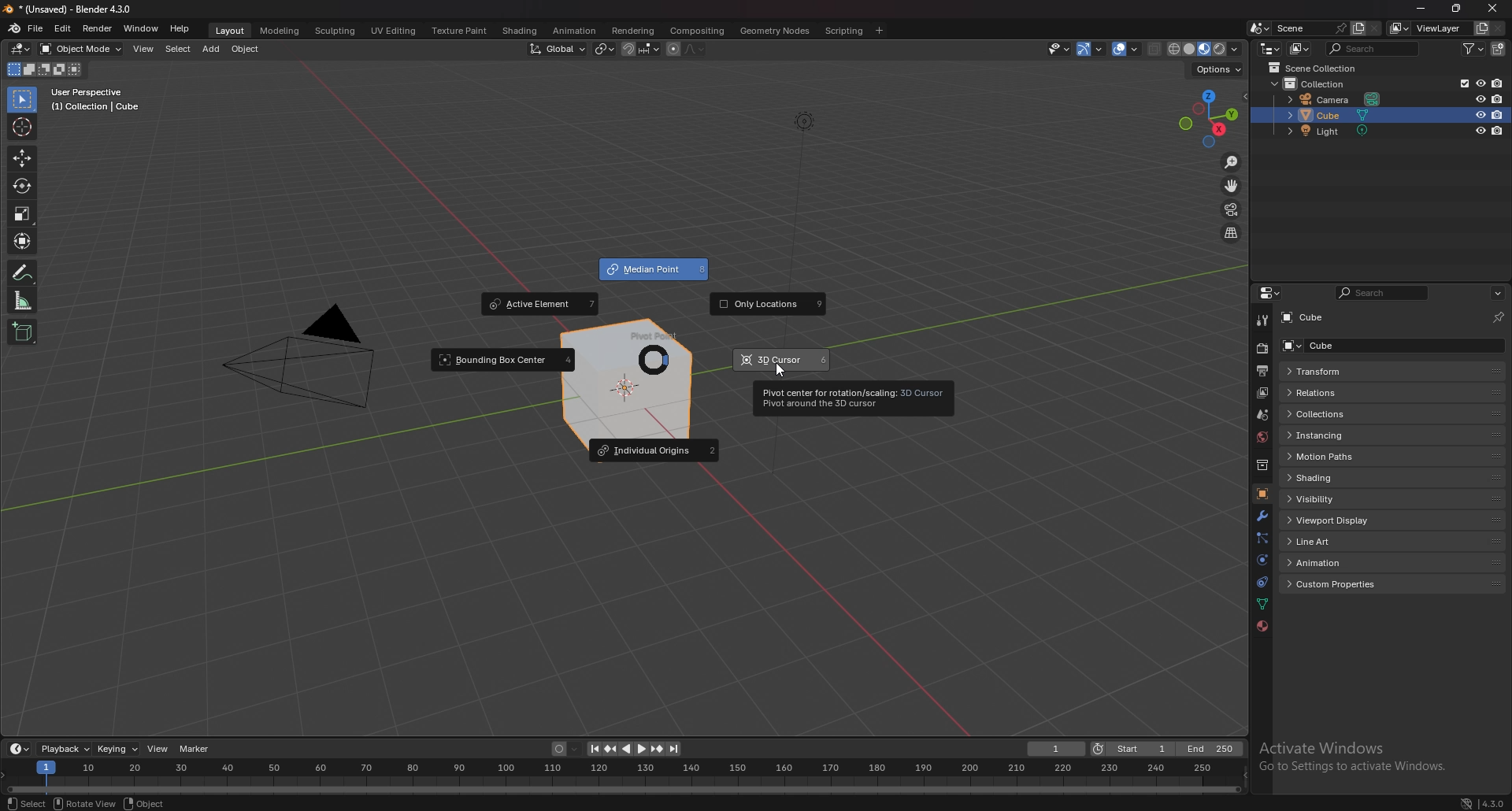  I want to click on bounding box center, so click(502, 361).